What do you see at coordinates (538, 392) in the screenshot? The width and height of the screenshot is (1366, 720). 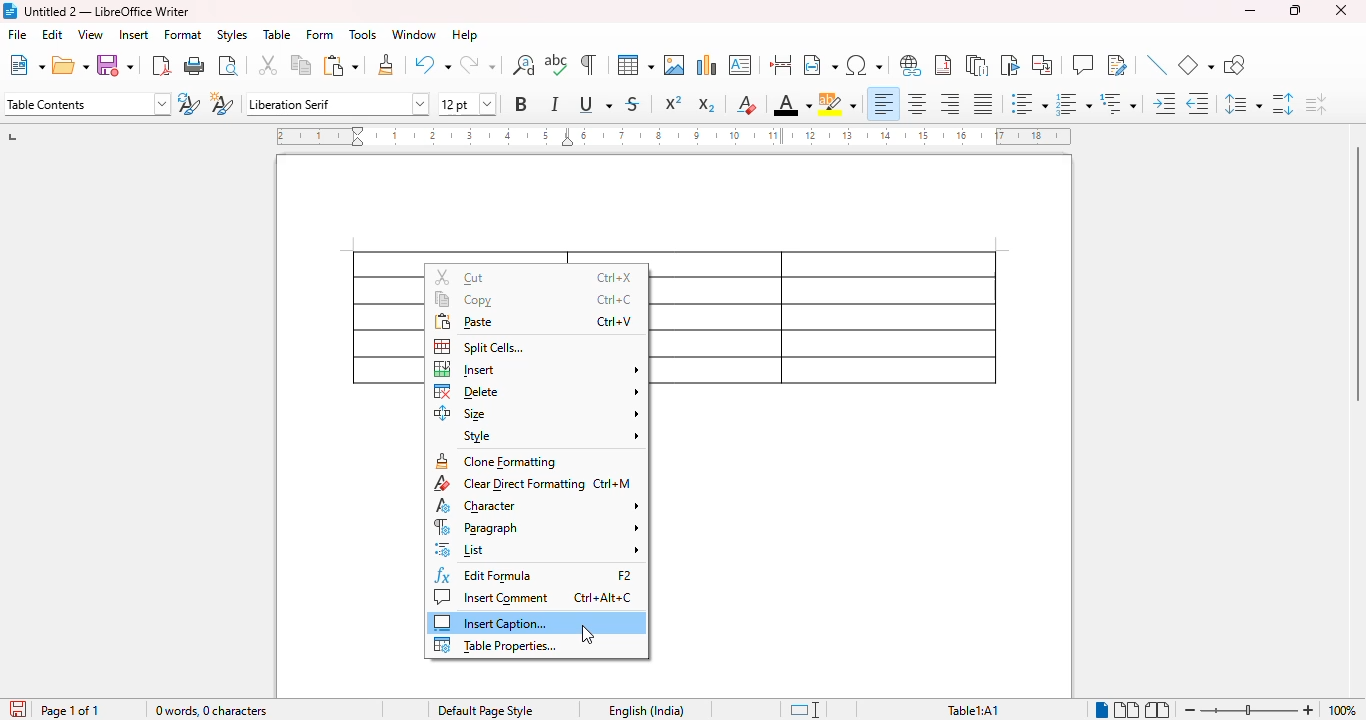 I see `delete` at bounding box center [538, 392].